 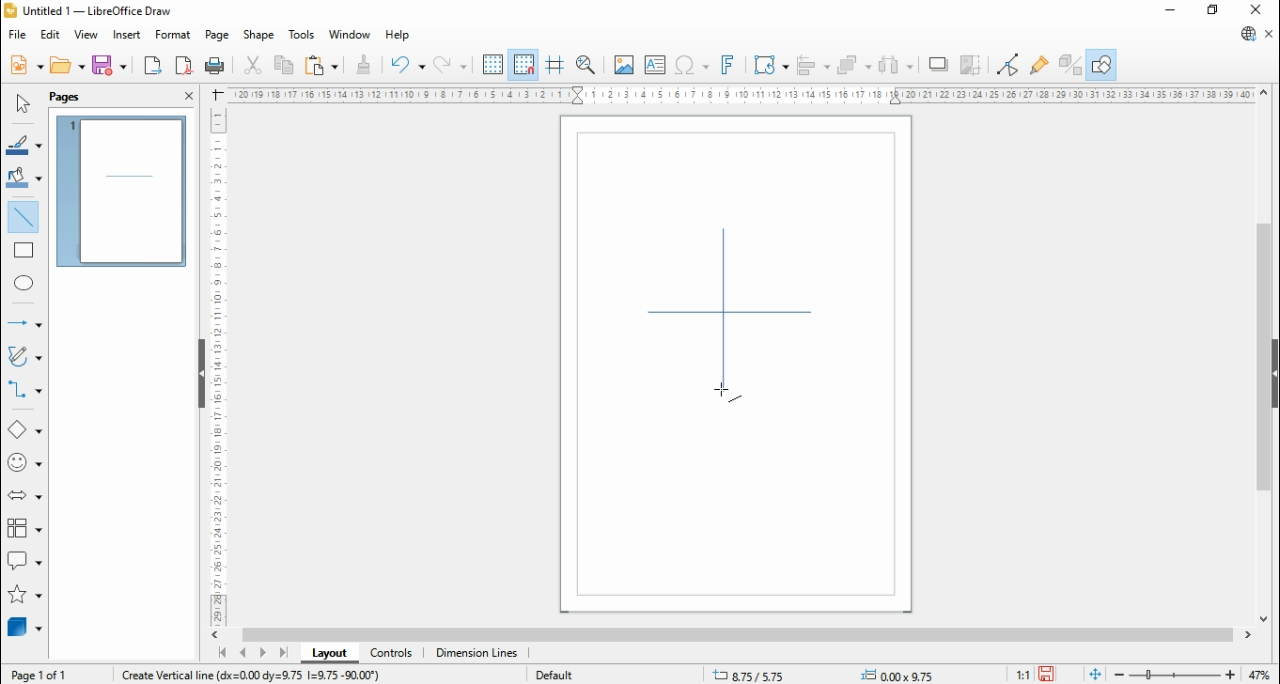 I want to click on page, so click(x=215, y=35).